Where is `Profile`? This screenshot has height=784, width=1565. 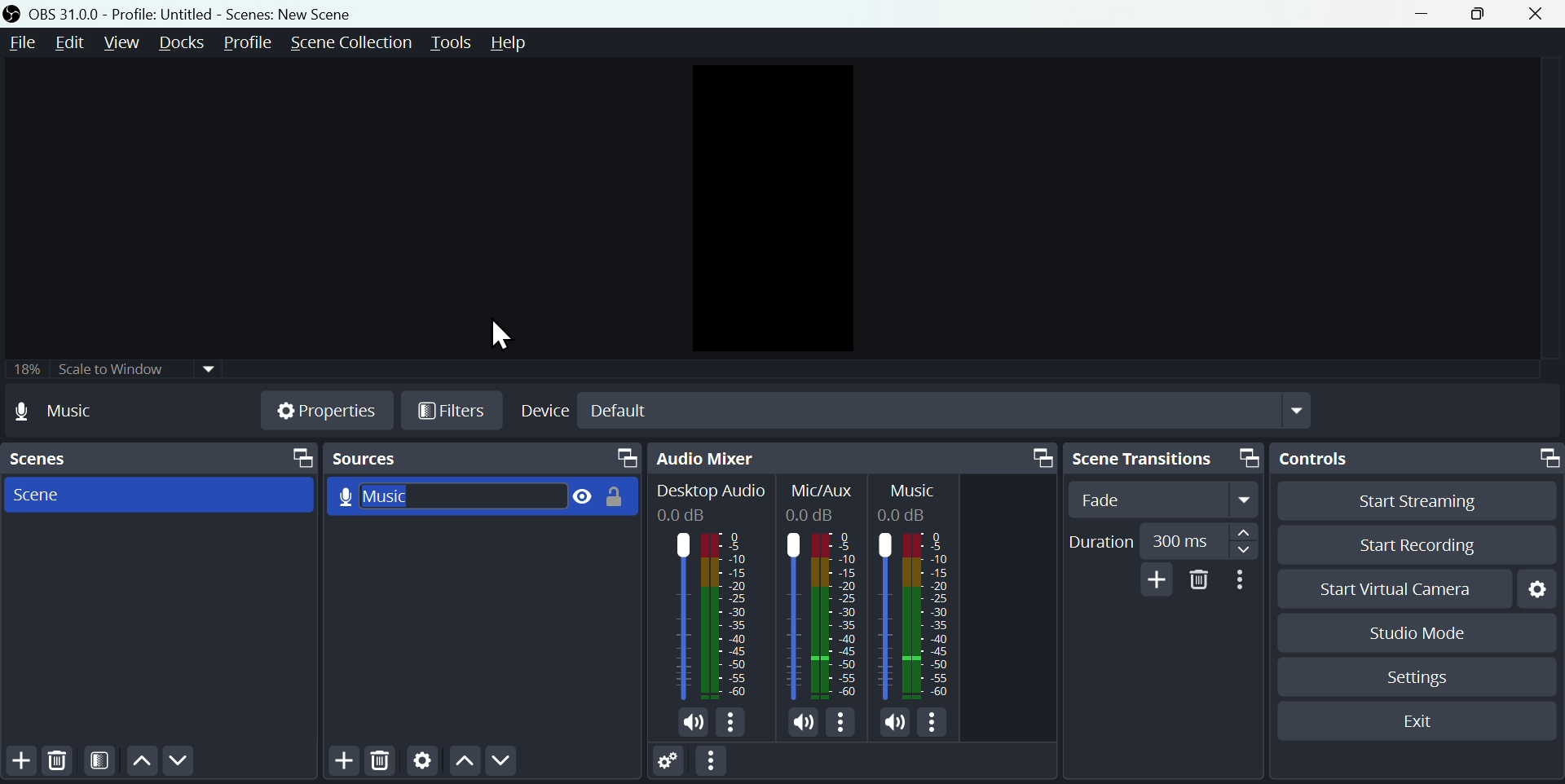
Profile is located at coordinates (247, 41).